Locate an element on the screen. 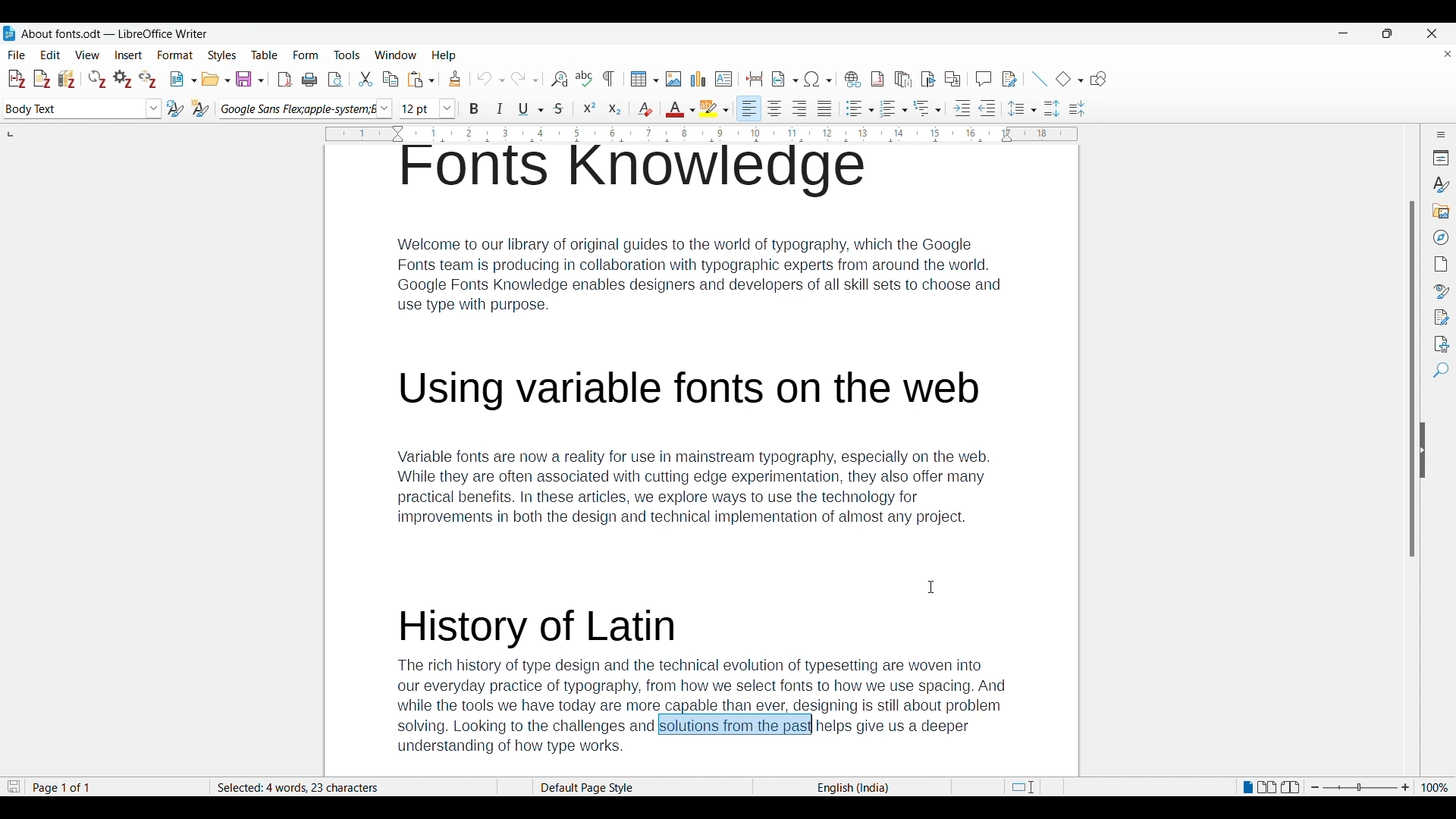  Insert comment is located at coordinates (984, 78).